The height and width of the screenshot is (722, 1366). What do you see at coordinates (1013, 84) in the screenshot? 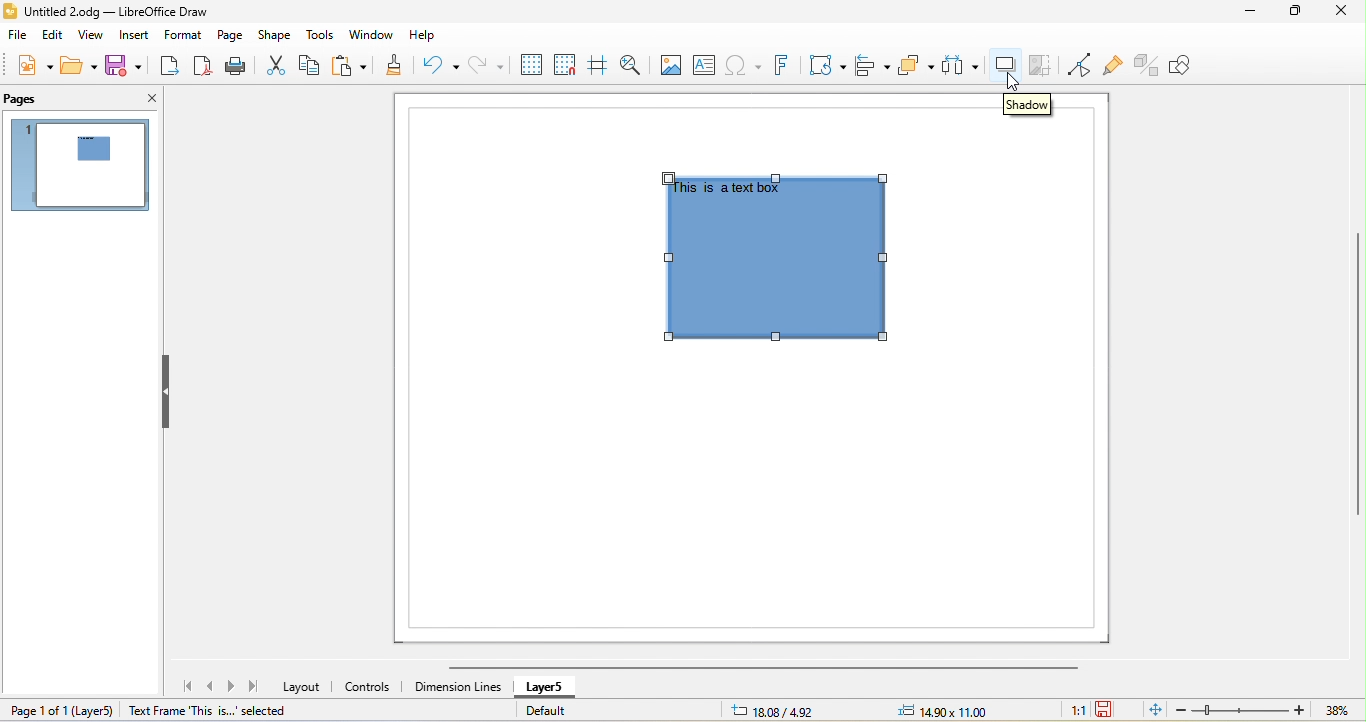
I see `cursor movement` at bounding box center [1013, 84].